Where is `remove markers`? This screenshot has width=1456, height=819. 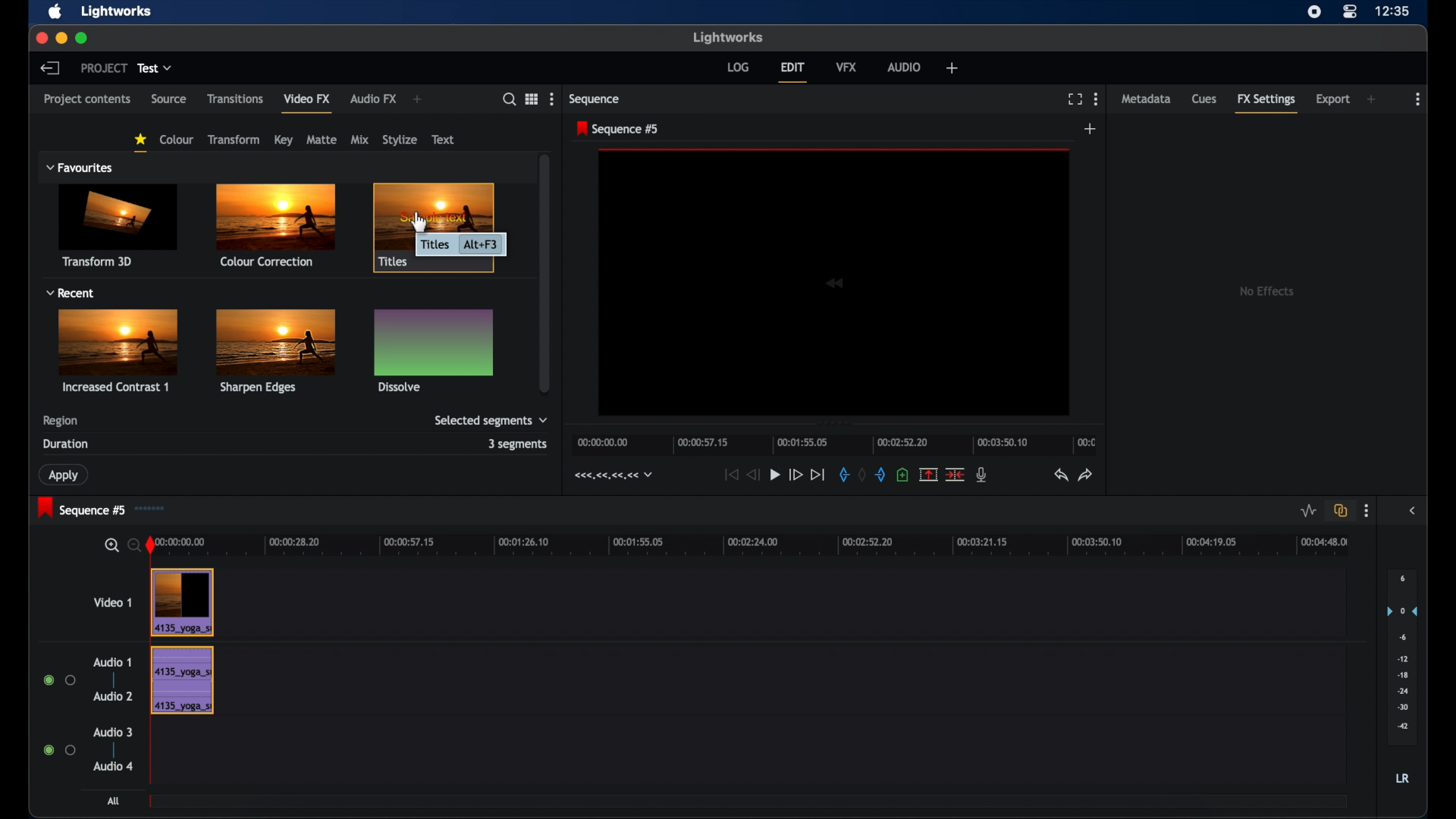
remove markers is located at coordinates (861, 475).